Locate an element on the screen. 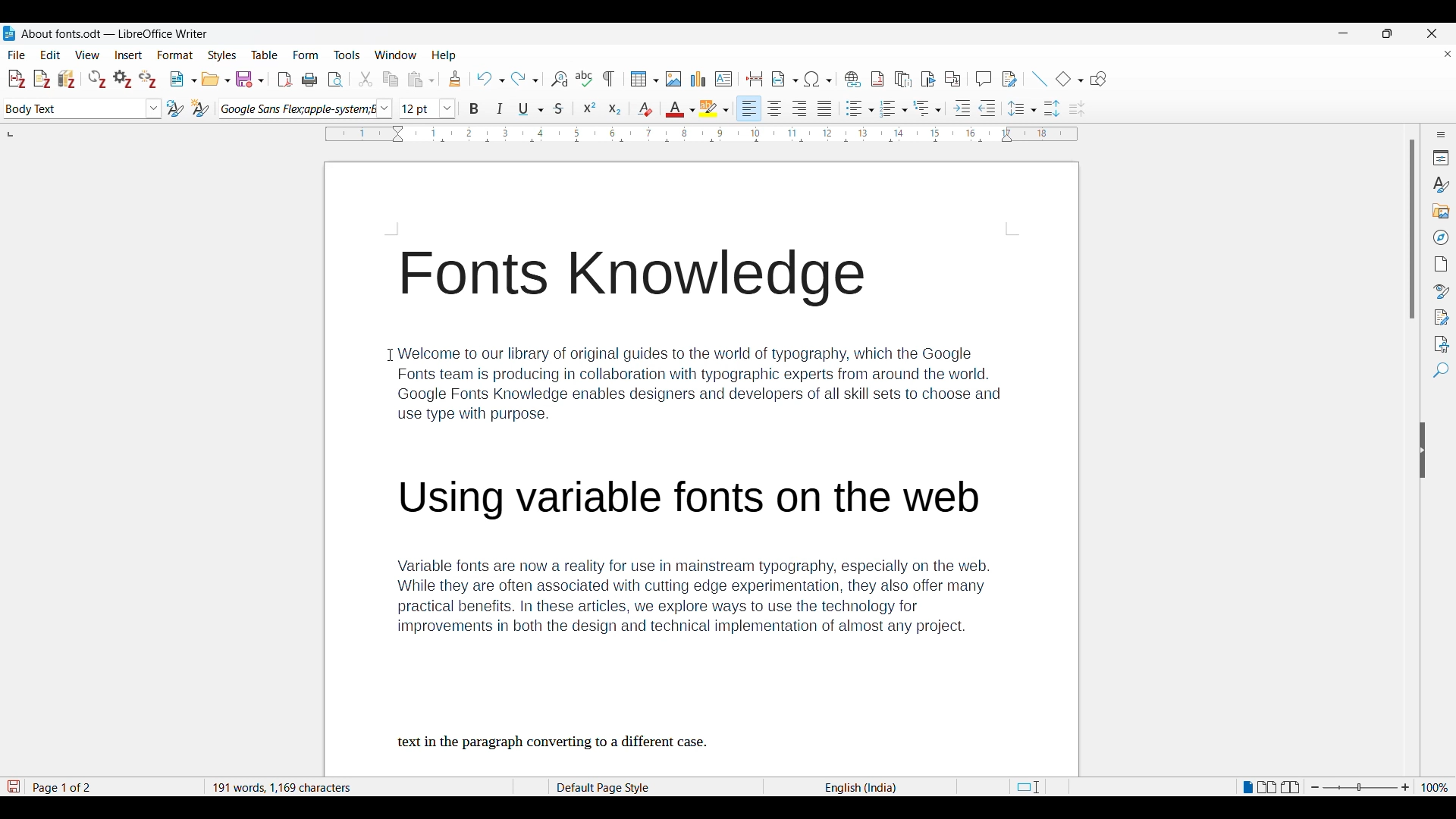 The image size is (1456, 819). Book view is located at coordinates (1290, 786).